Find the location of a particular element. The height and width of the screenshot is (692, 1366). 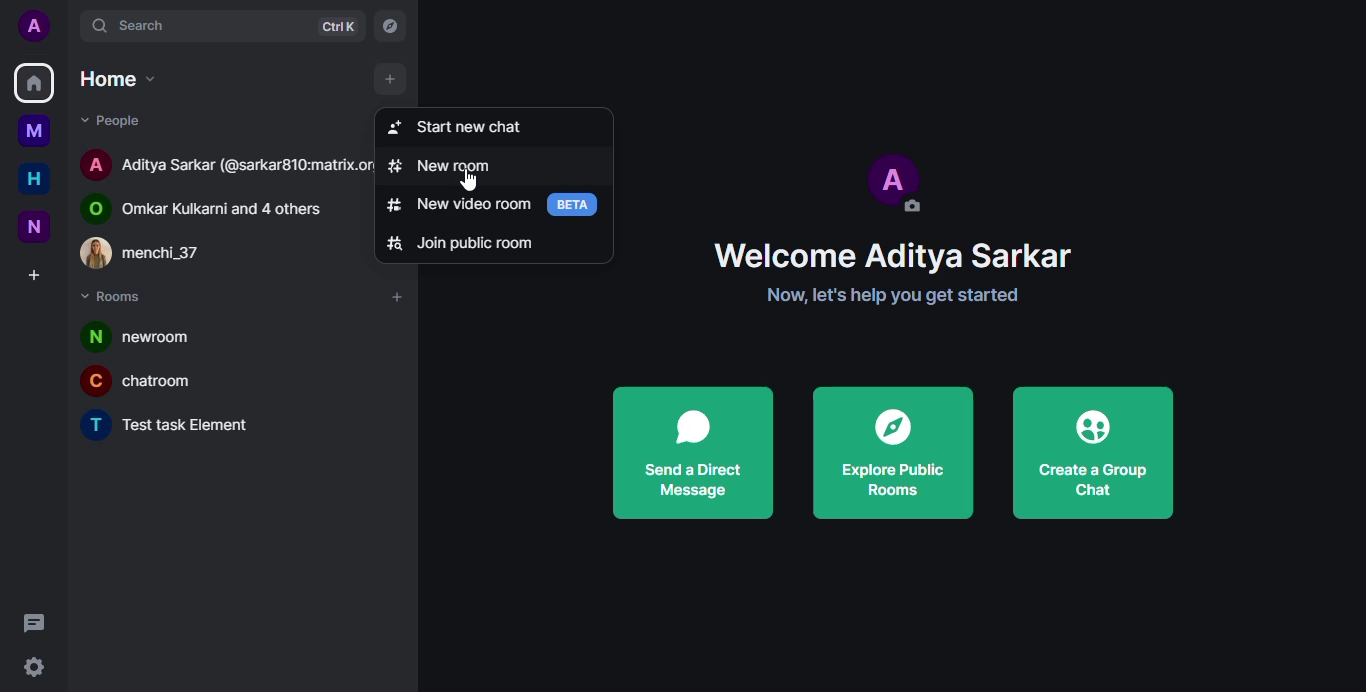

Aditya Sarkar room is located at coordinates (221, 162).